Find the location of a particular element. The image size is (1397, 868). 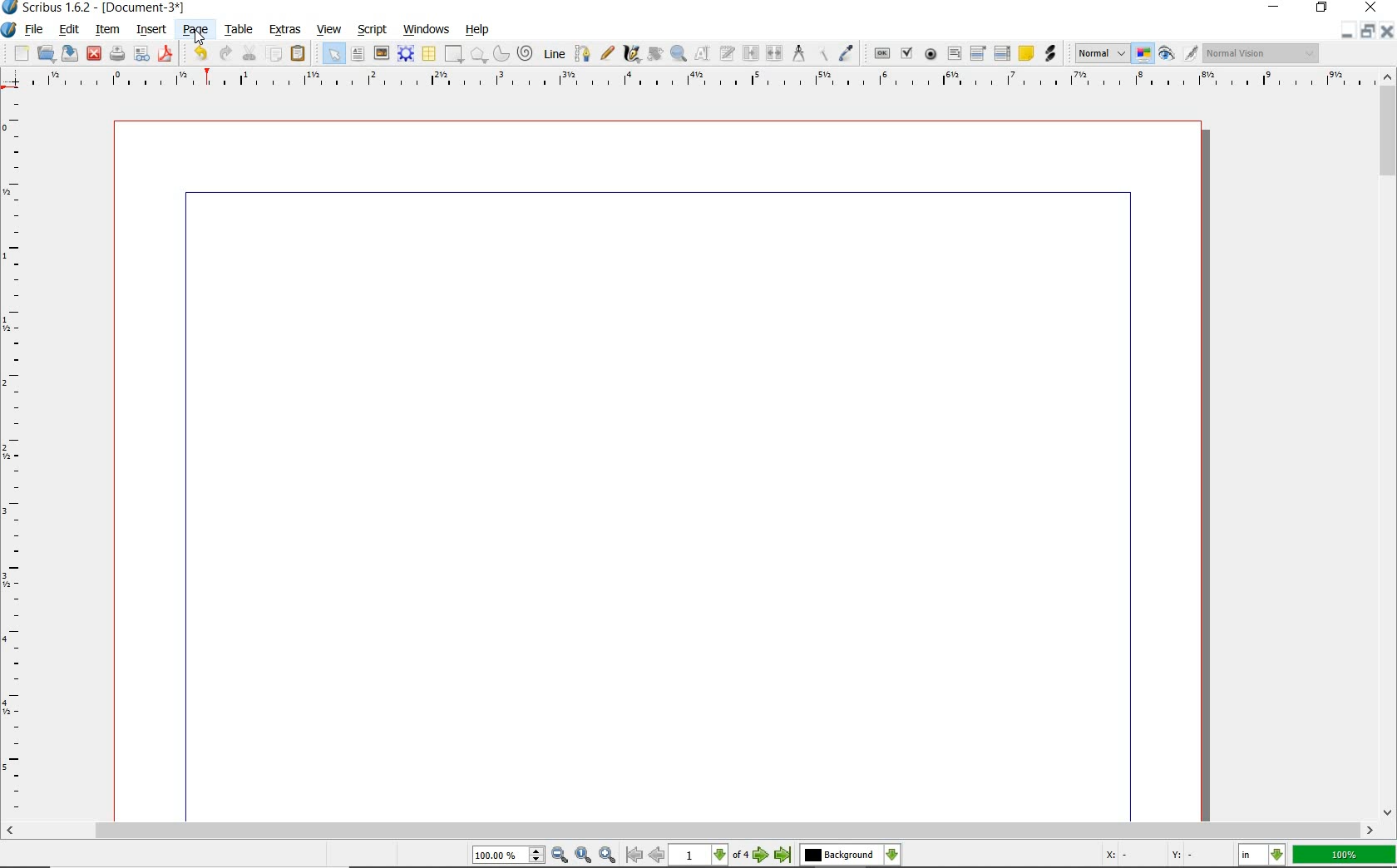

Previous Page is located at coordinates (657, 856).